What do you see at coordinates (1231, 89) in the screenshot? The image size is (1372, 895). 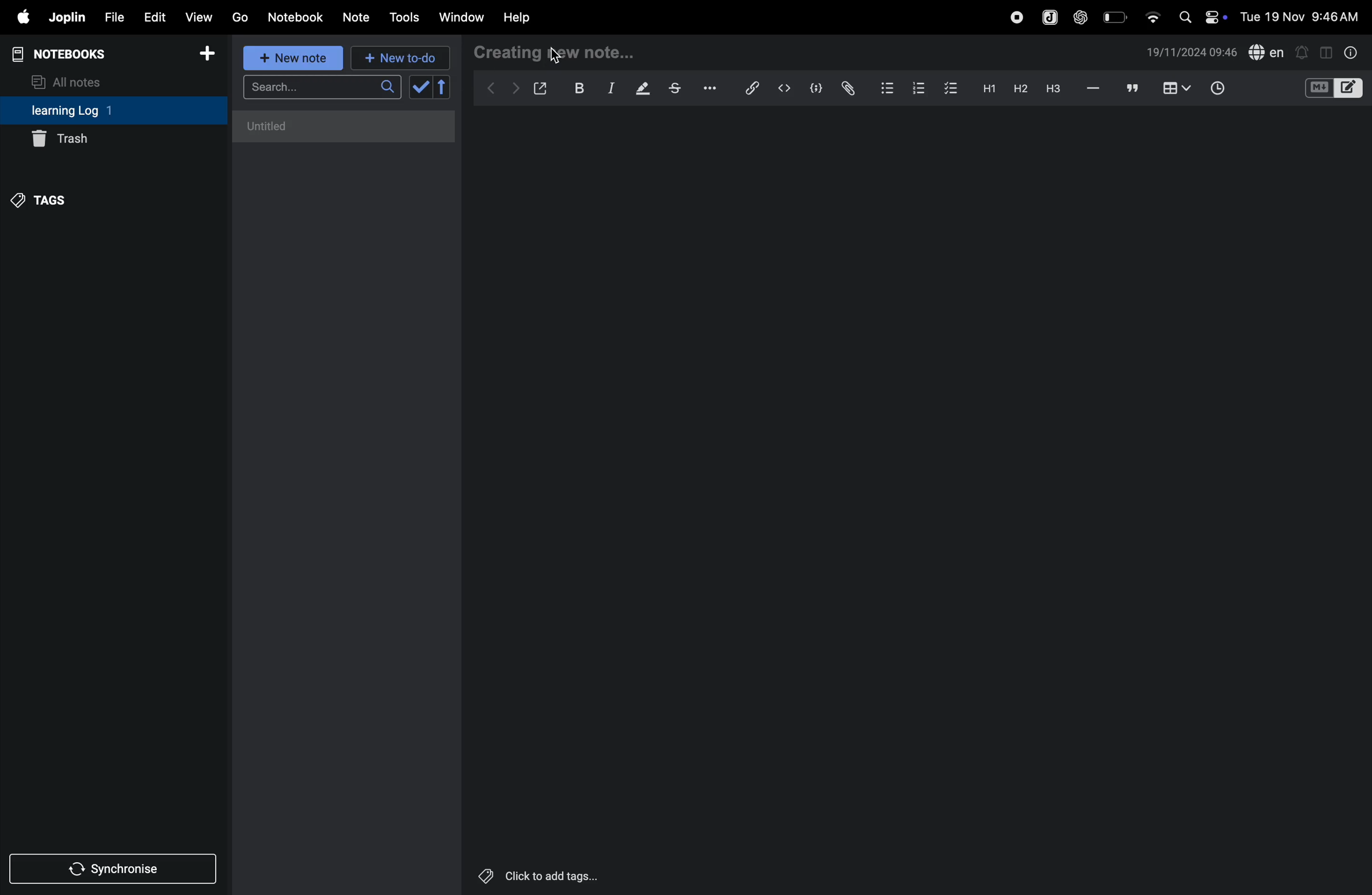 I see `add time` at bounding box center [1231, 89].